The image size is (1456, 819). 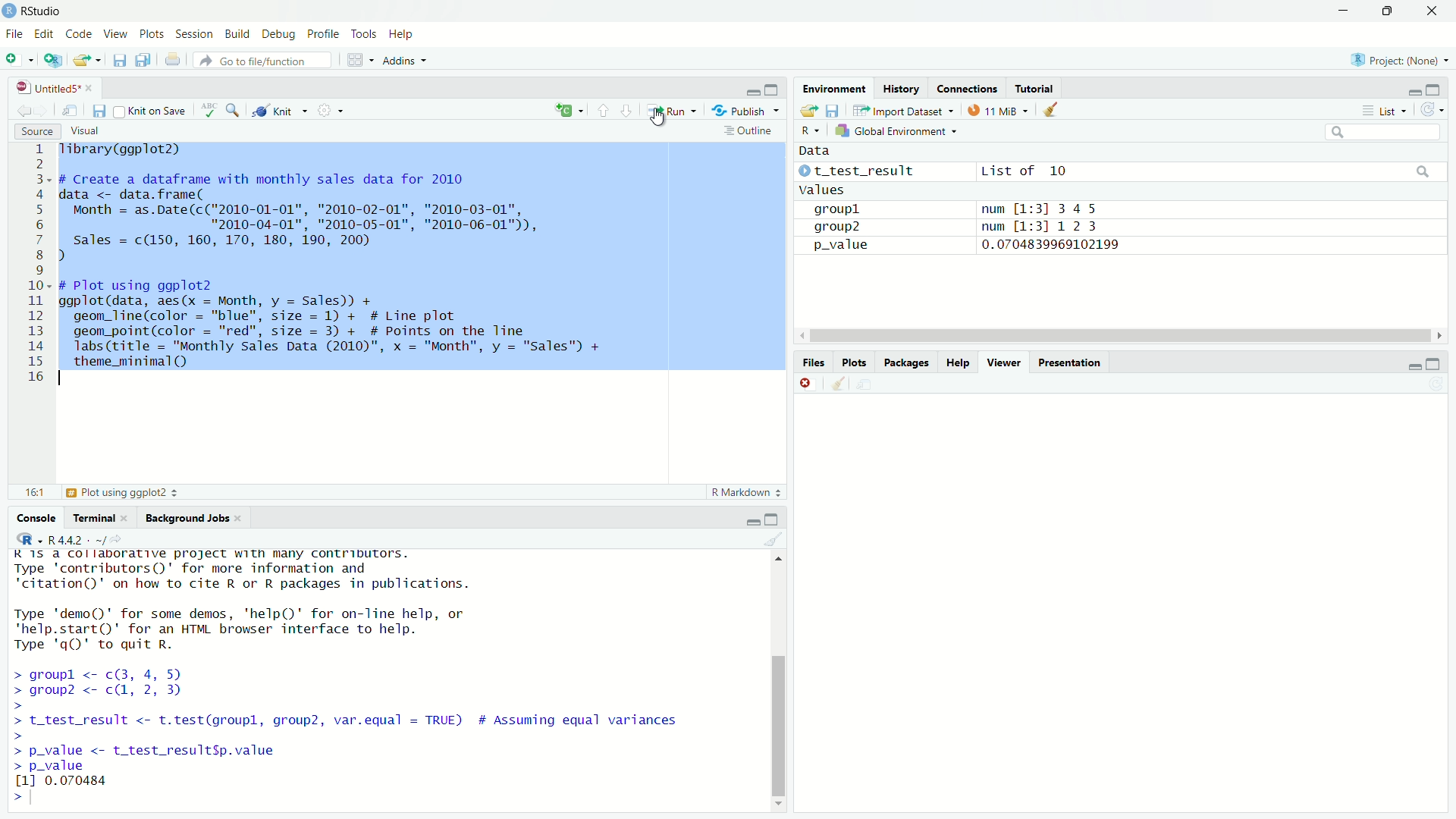 What do you see at coordinates (115, 32) in the screenshot?
I see `View` at bounding box center [115, 32].